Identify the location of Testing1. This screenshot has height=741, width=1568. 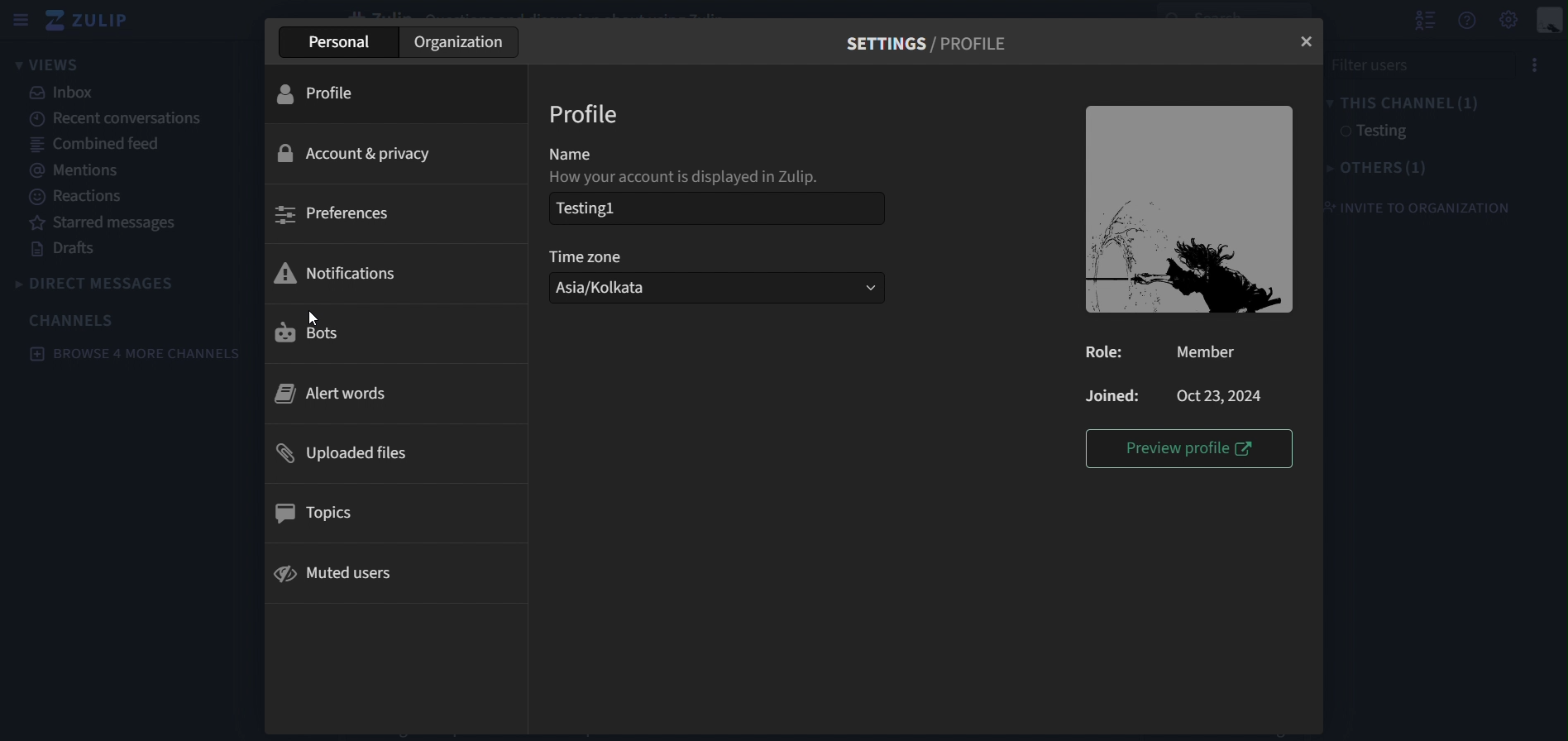
(710, 208).